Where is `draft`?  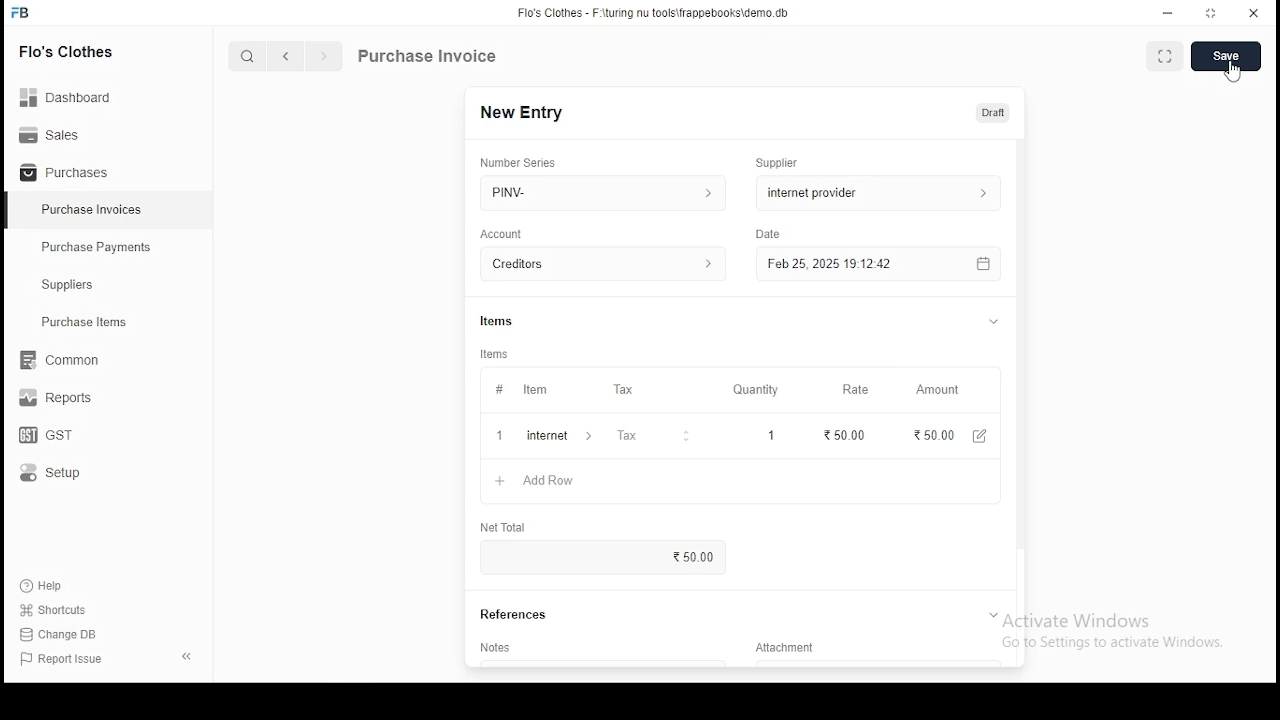
draft is located at coordinates (993, 112).